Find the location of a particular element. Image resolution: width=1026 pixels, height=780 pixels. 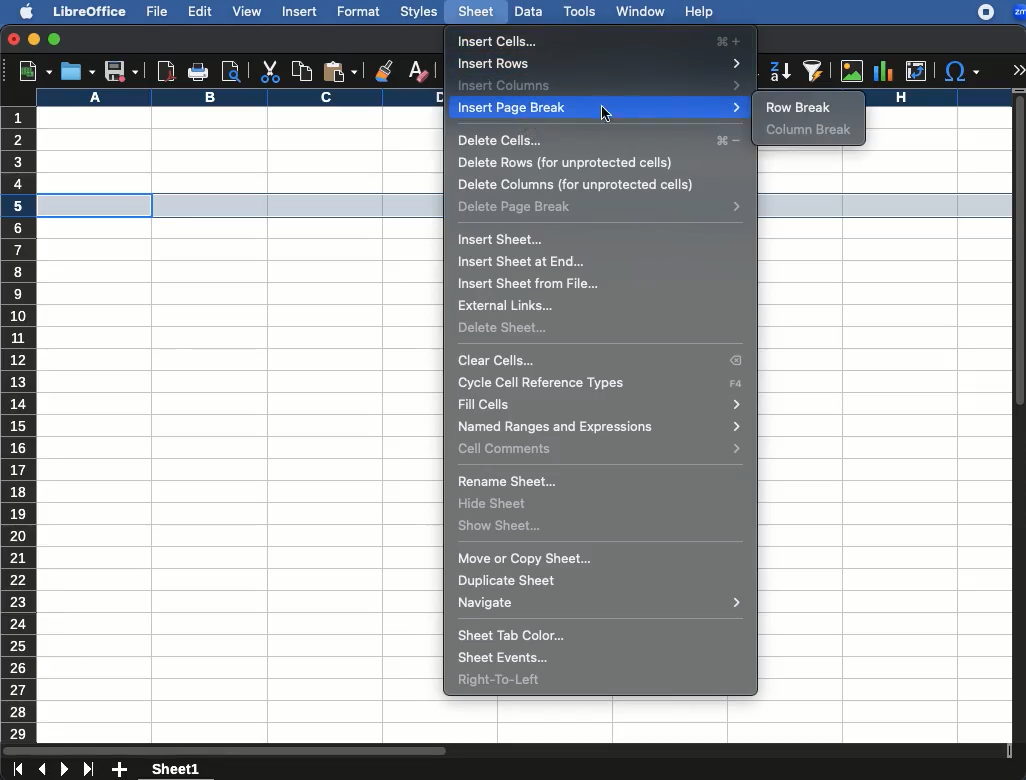

data is located at coordinates (528, 11).